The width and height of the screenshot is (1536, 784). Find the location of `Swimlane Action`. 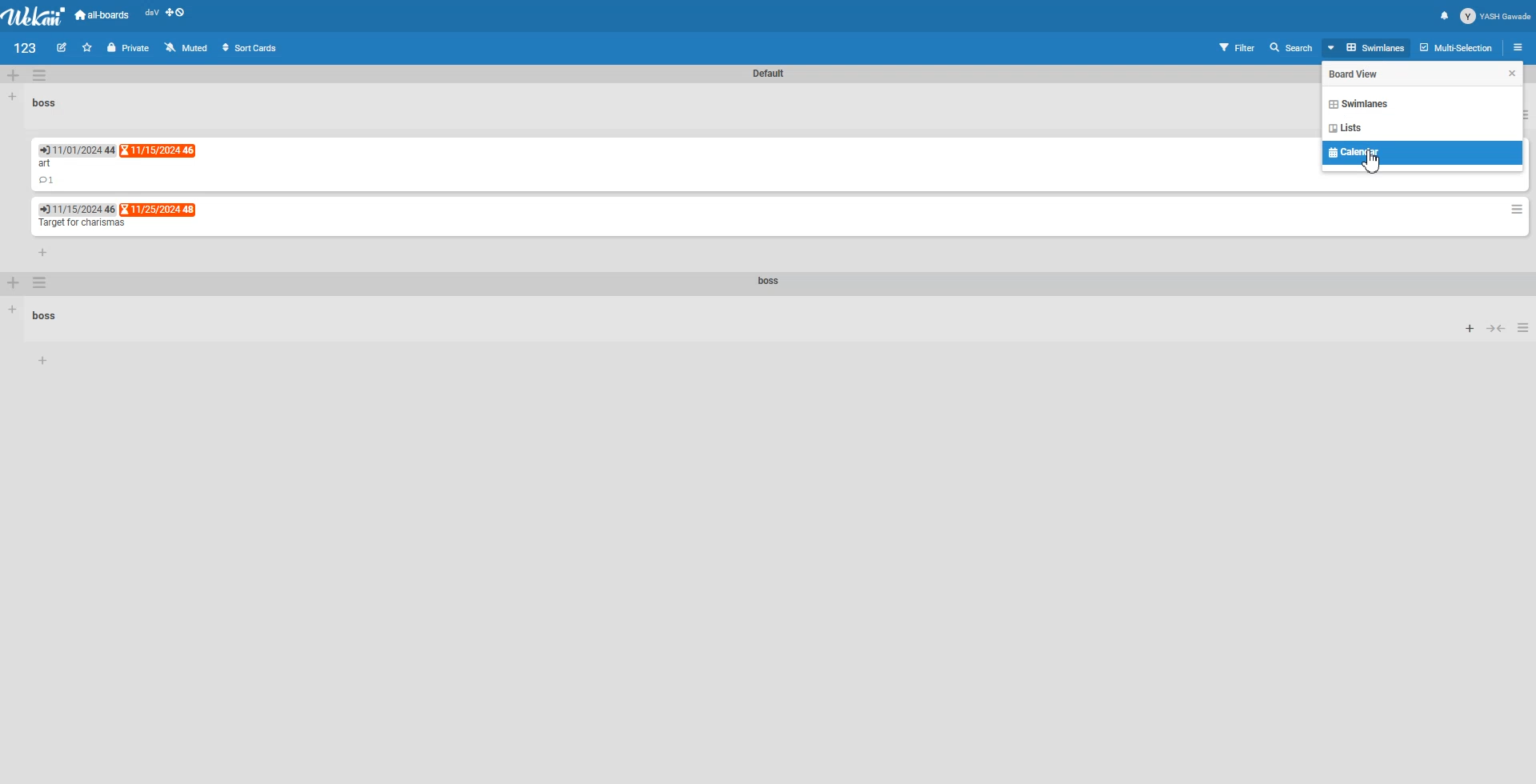

Swimlane Action is located at coordinates (39, 75).